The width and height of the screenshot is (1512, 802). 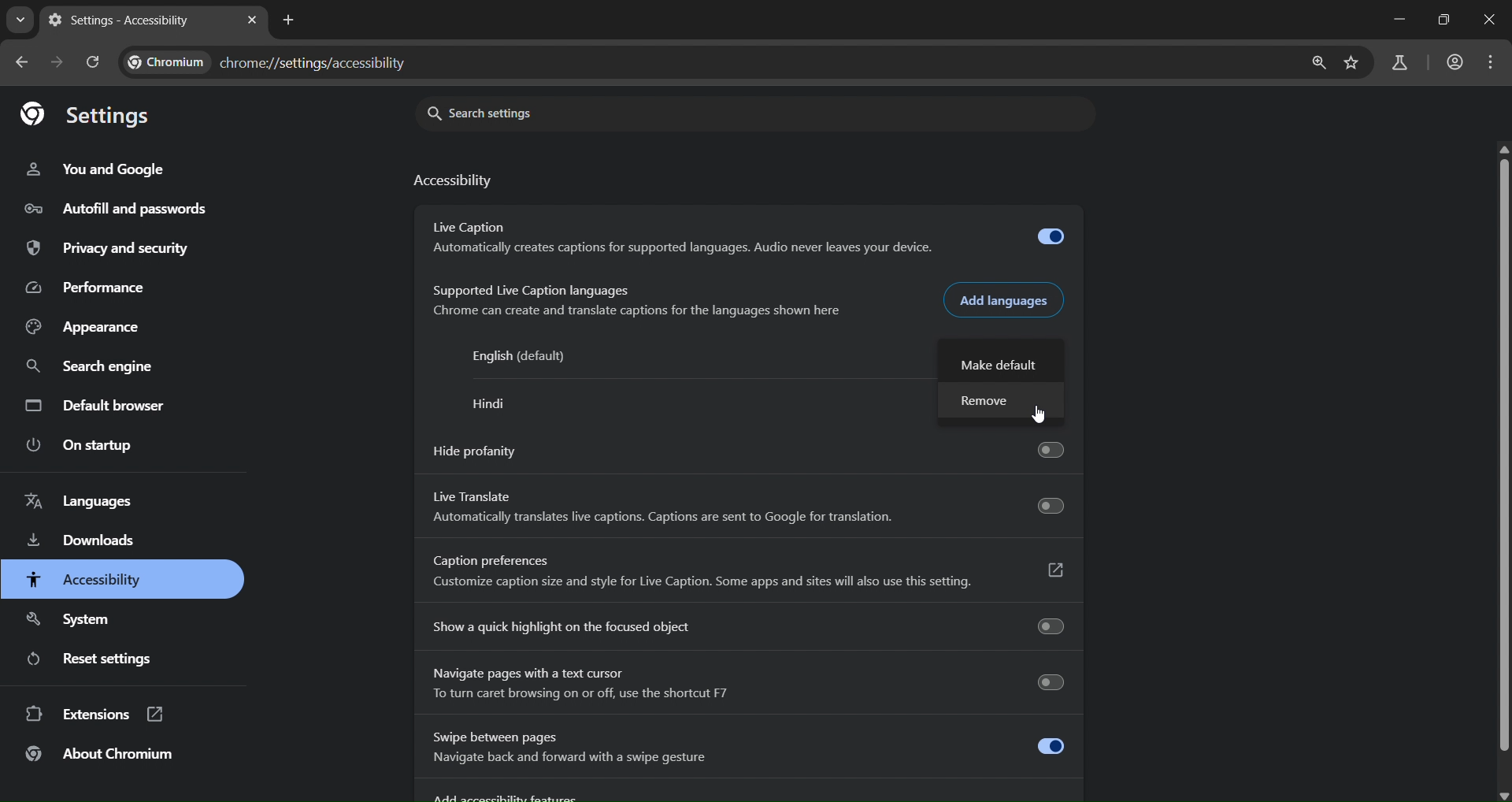 I want to click on extensions, so click(x=93, y=714).